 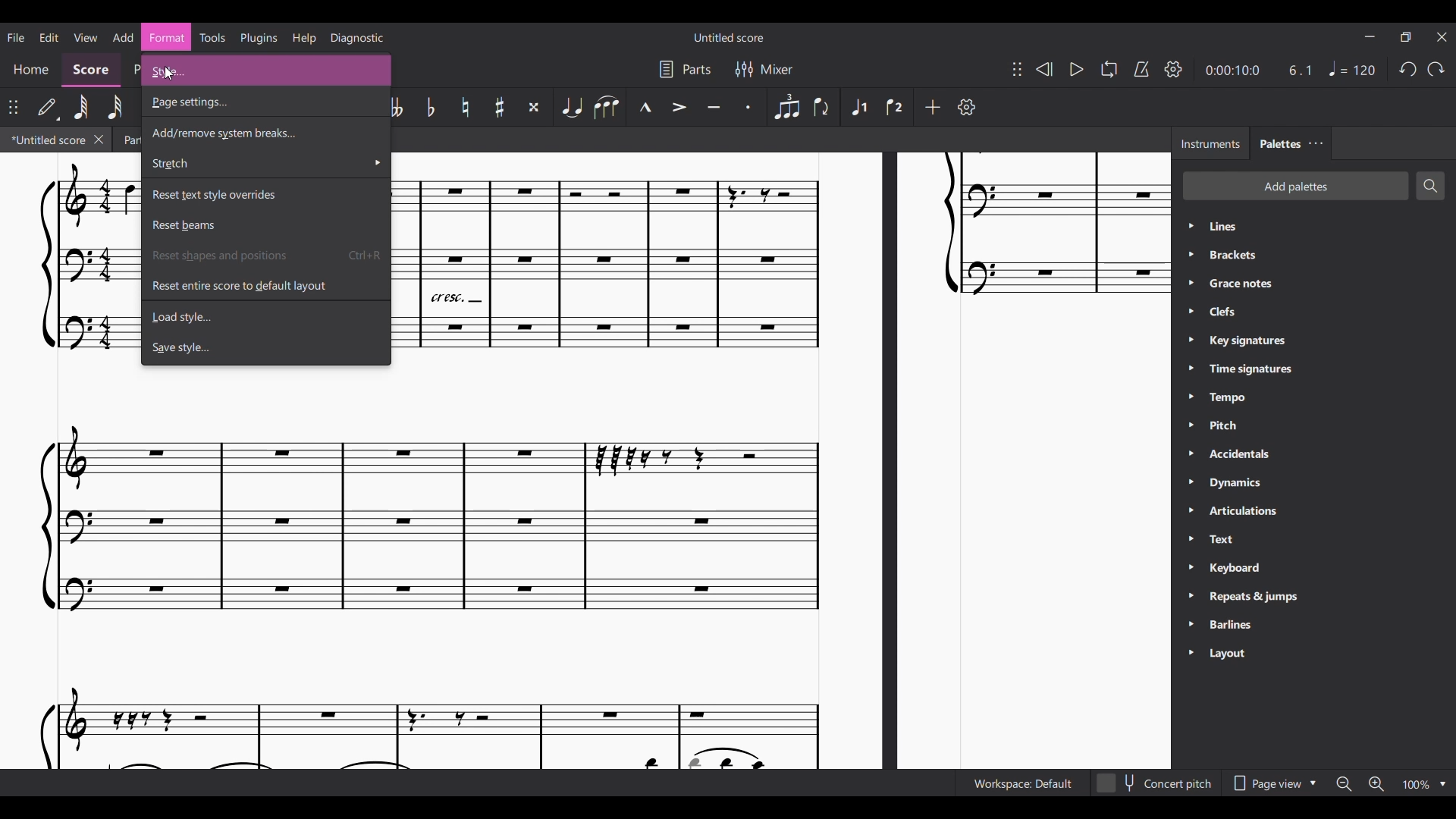 What do you see at coordinates (645, 107) in the screenshot?
I see `Marcato` at bounding box center [645, 107].